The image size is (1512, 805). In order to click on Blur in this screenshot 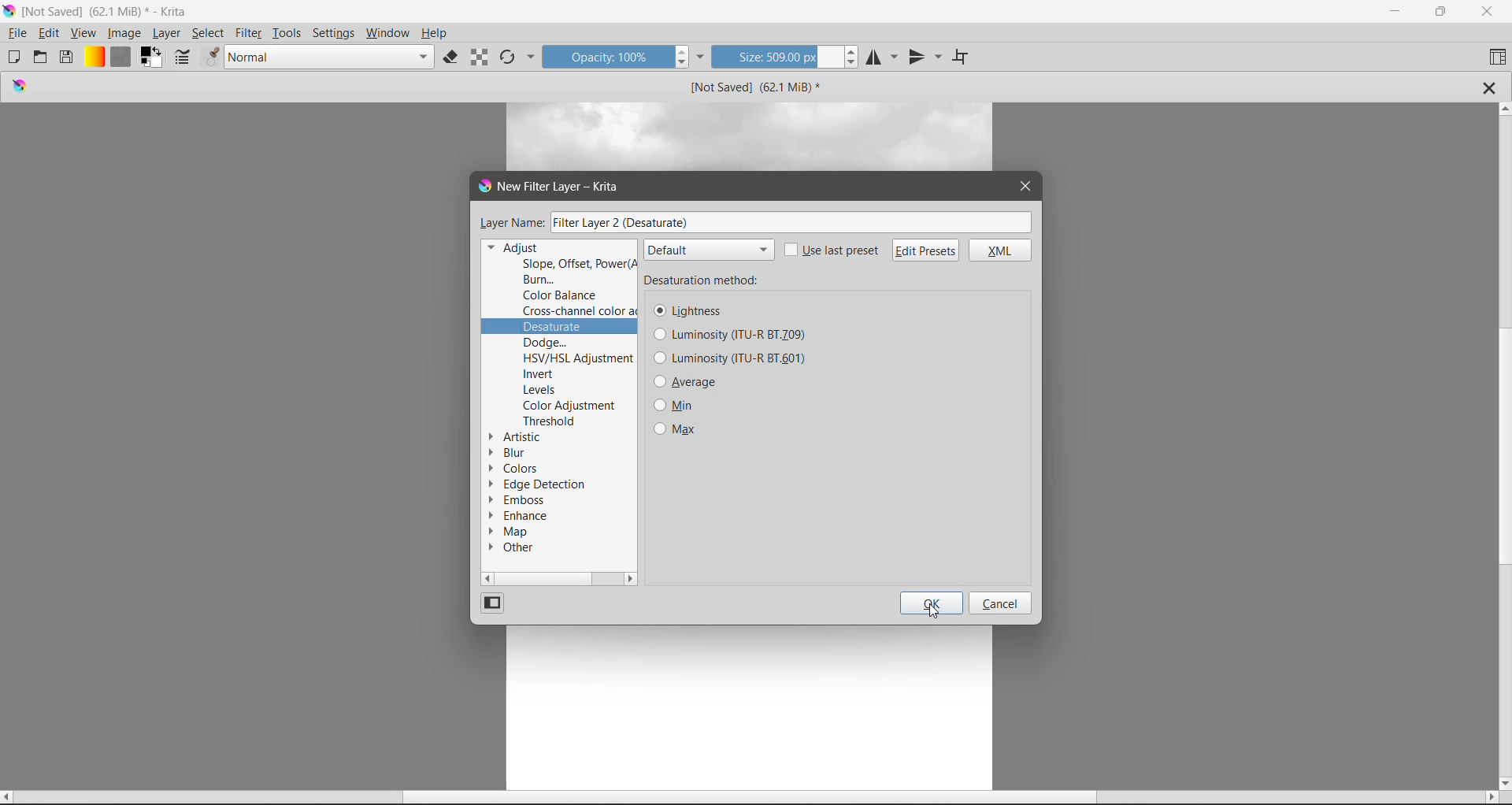, I will do `click(511, 453)`.